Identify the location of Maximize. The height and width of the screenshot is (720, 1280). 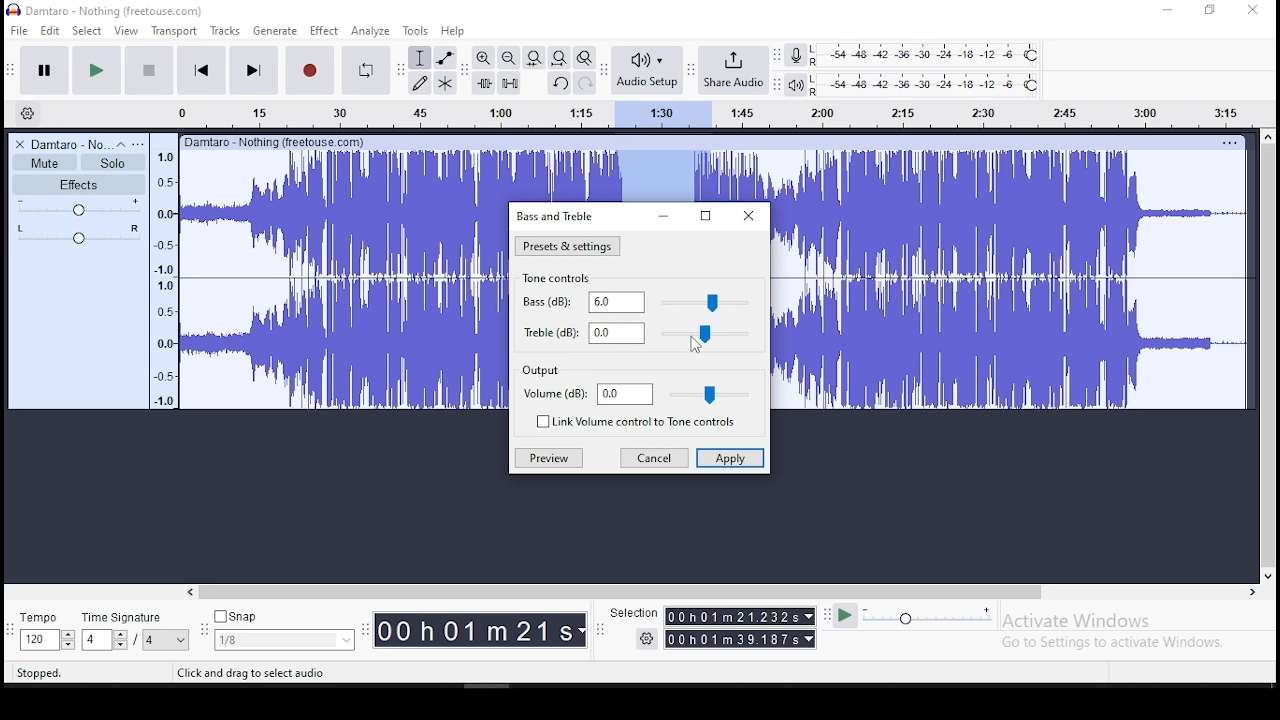
(705, 217).